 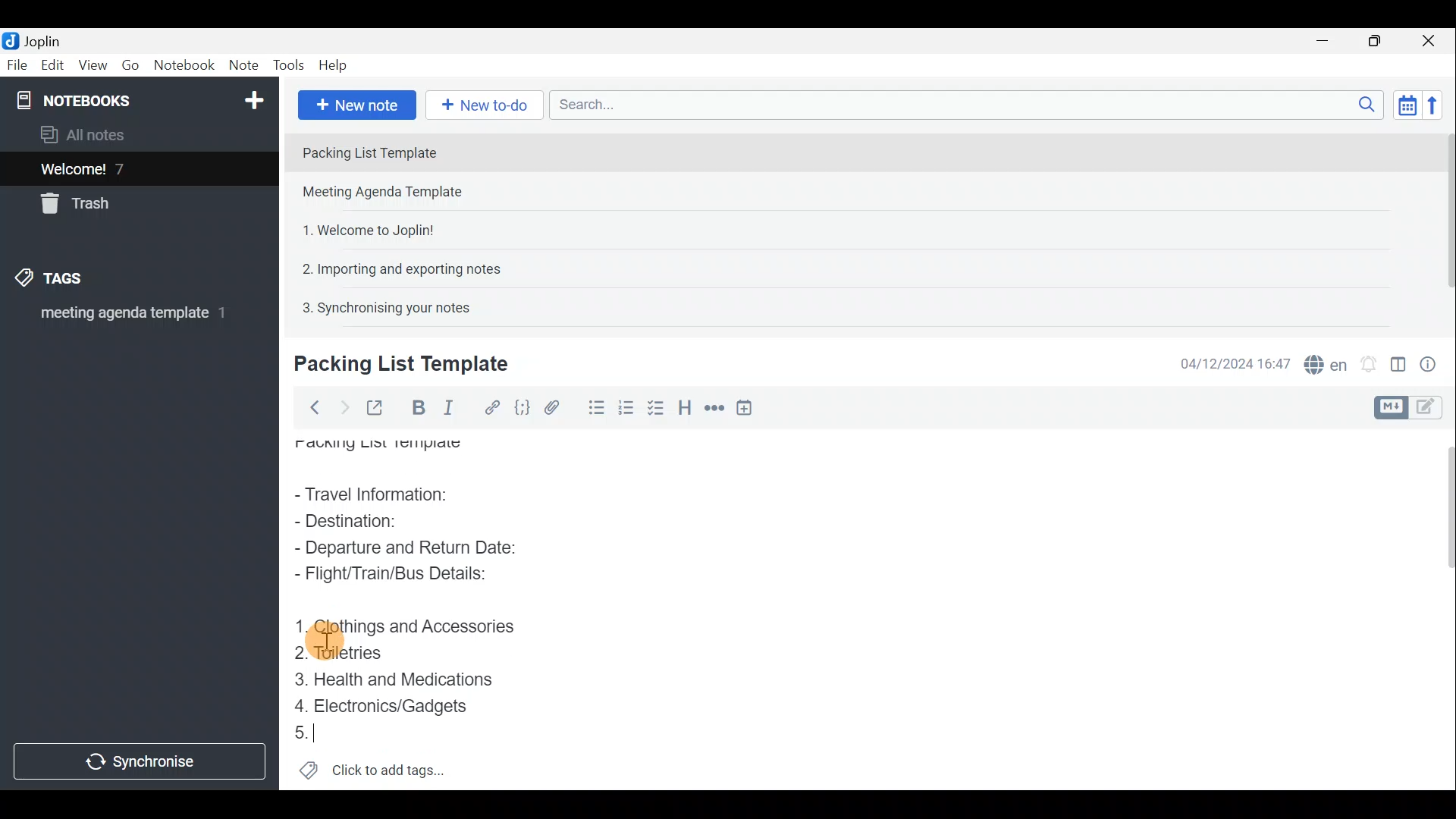 What do you see at coordinates (1398, 359) in the screenshot?
I see `Toggle editor layout` at bounding box center [1398, 359].